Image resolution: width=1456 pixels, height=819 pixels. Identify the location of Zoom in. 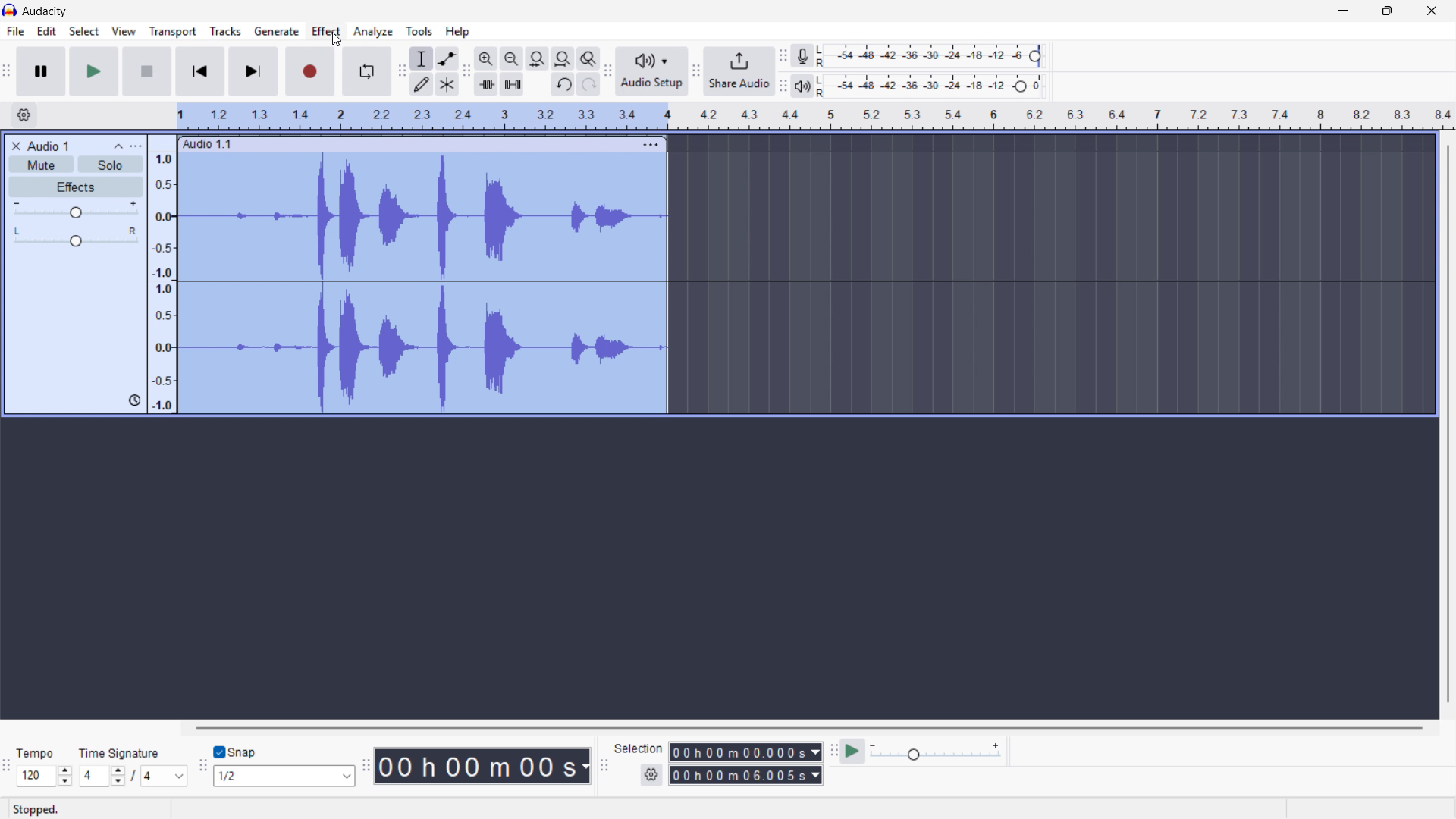
(486, 58).